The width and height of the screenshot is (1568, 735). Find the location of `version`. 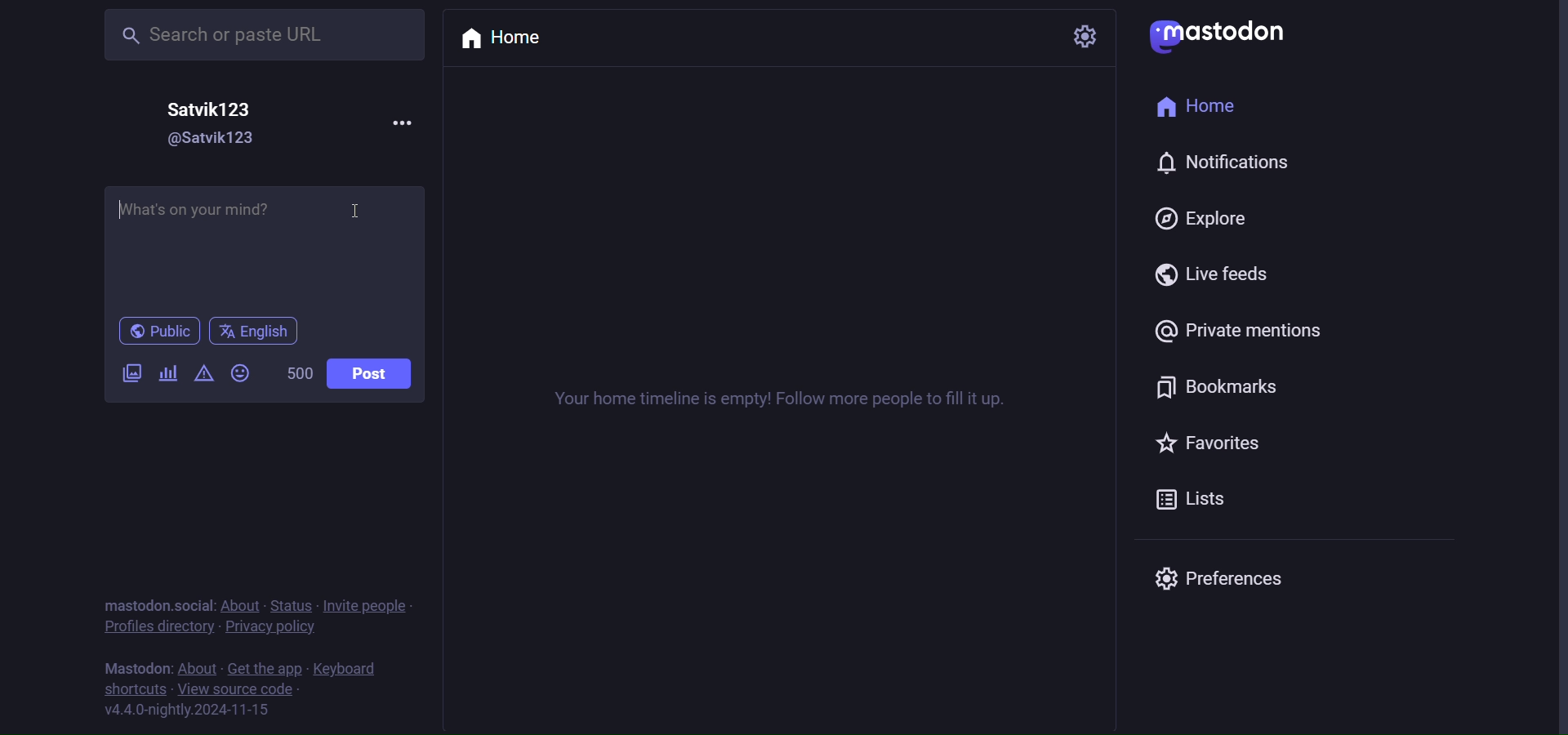

version is located at coordinates (187, 710).